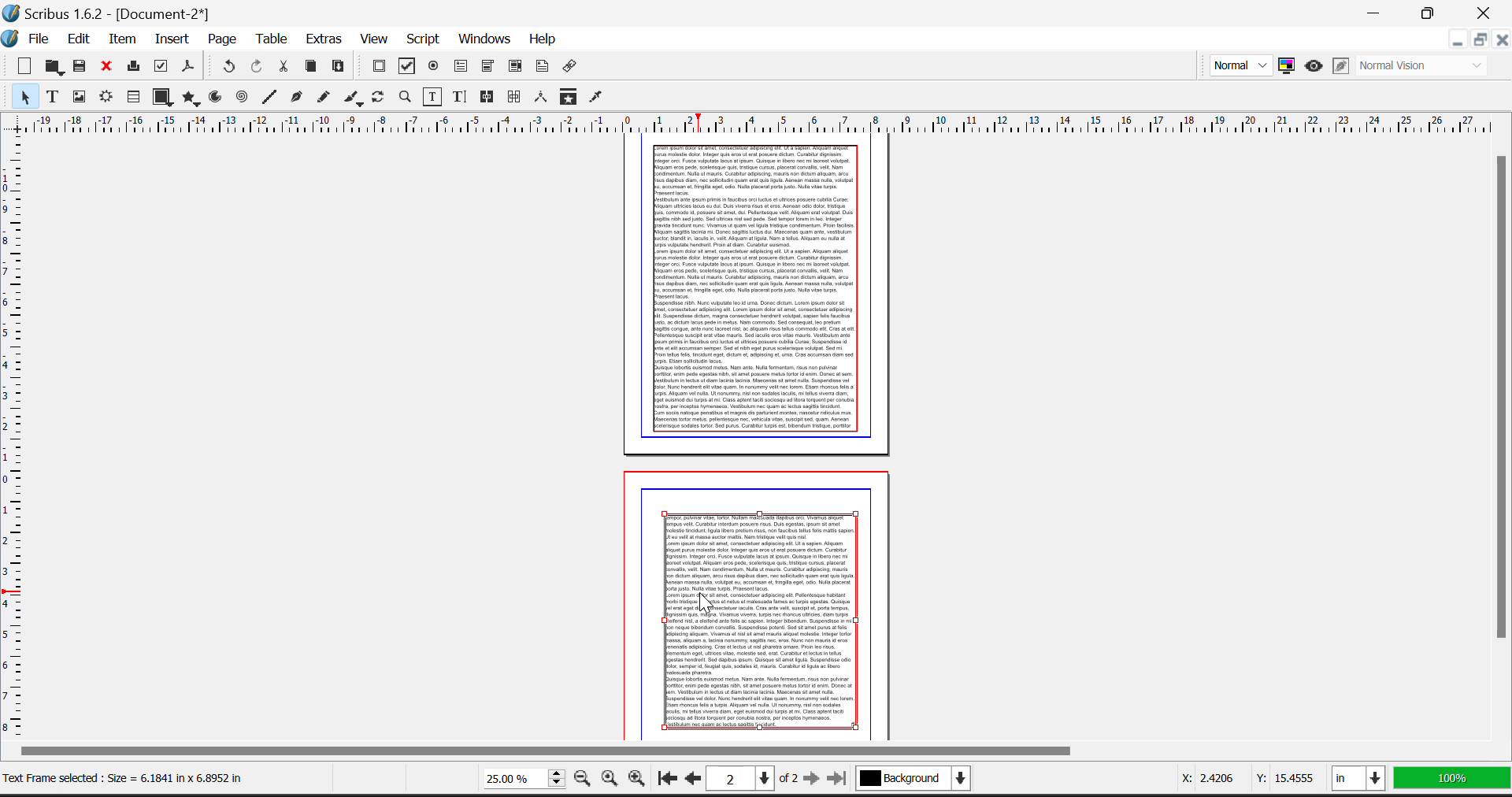  I want to click on Delink Text Frames, so click(516, 97).